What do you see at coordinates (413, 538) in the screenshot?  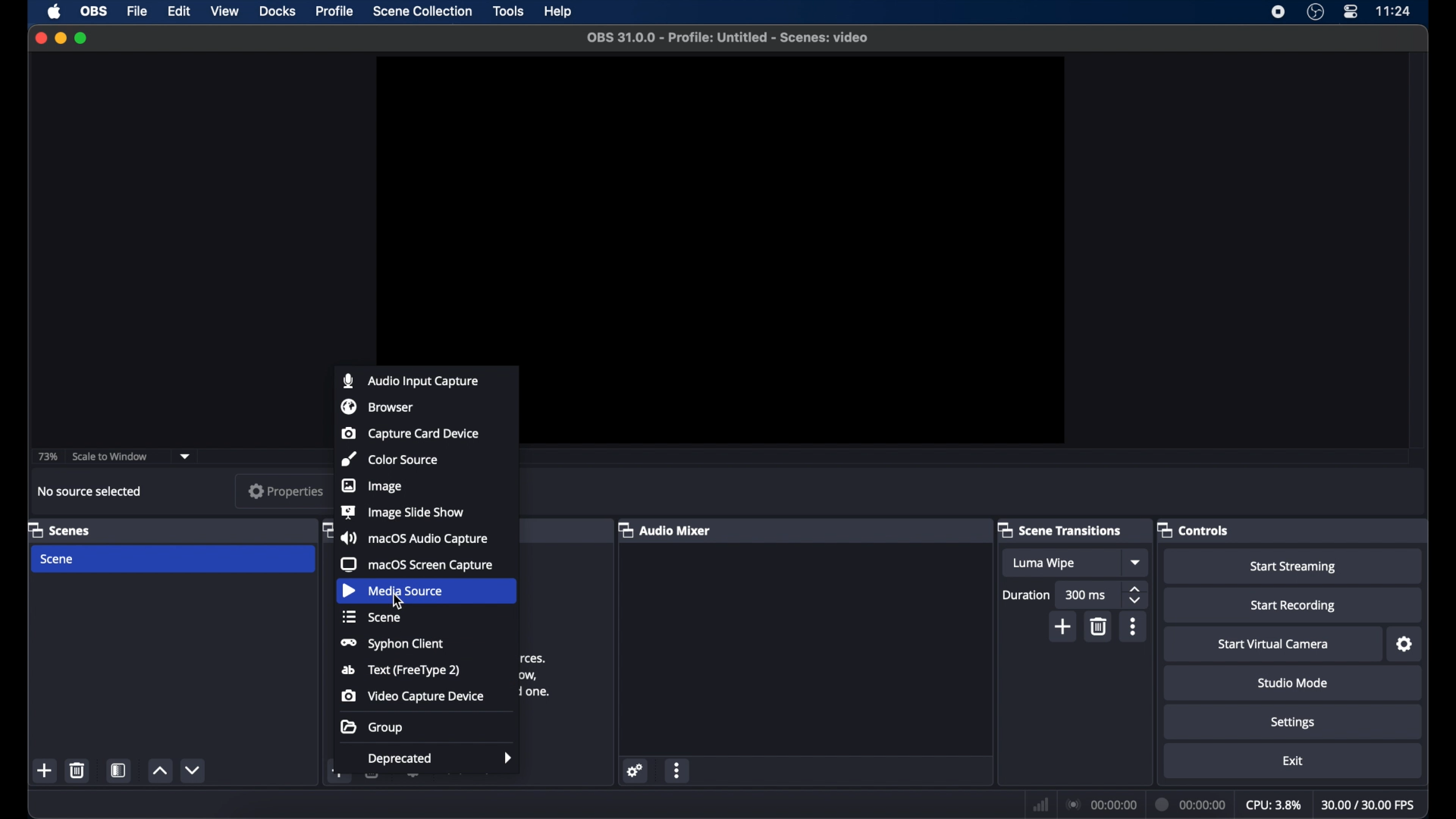 I see `macOS audio capture` at bounding box center [413, 538].